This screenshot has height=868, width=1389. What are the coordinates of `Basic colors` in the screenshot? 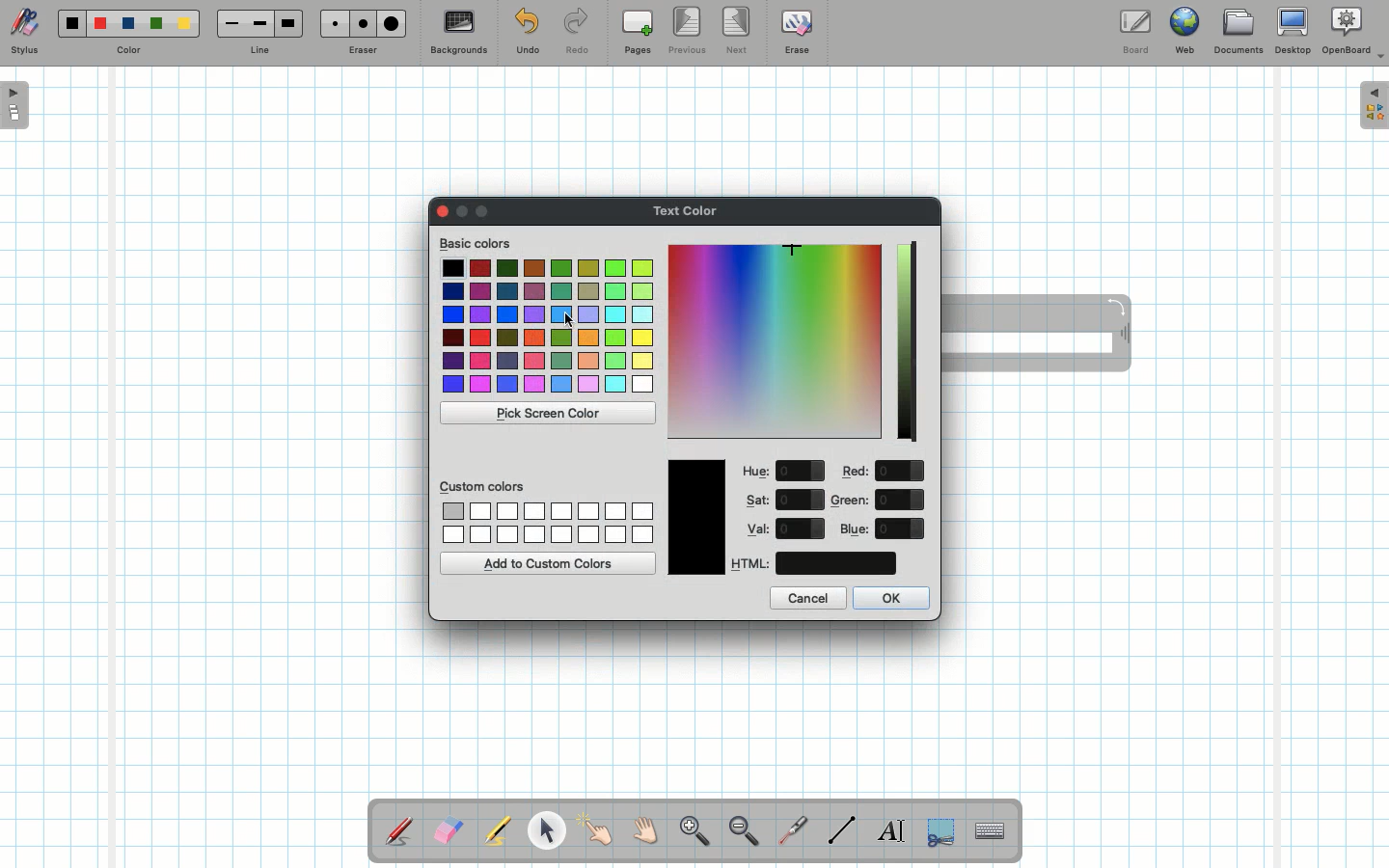 It's located at (477, 242).